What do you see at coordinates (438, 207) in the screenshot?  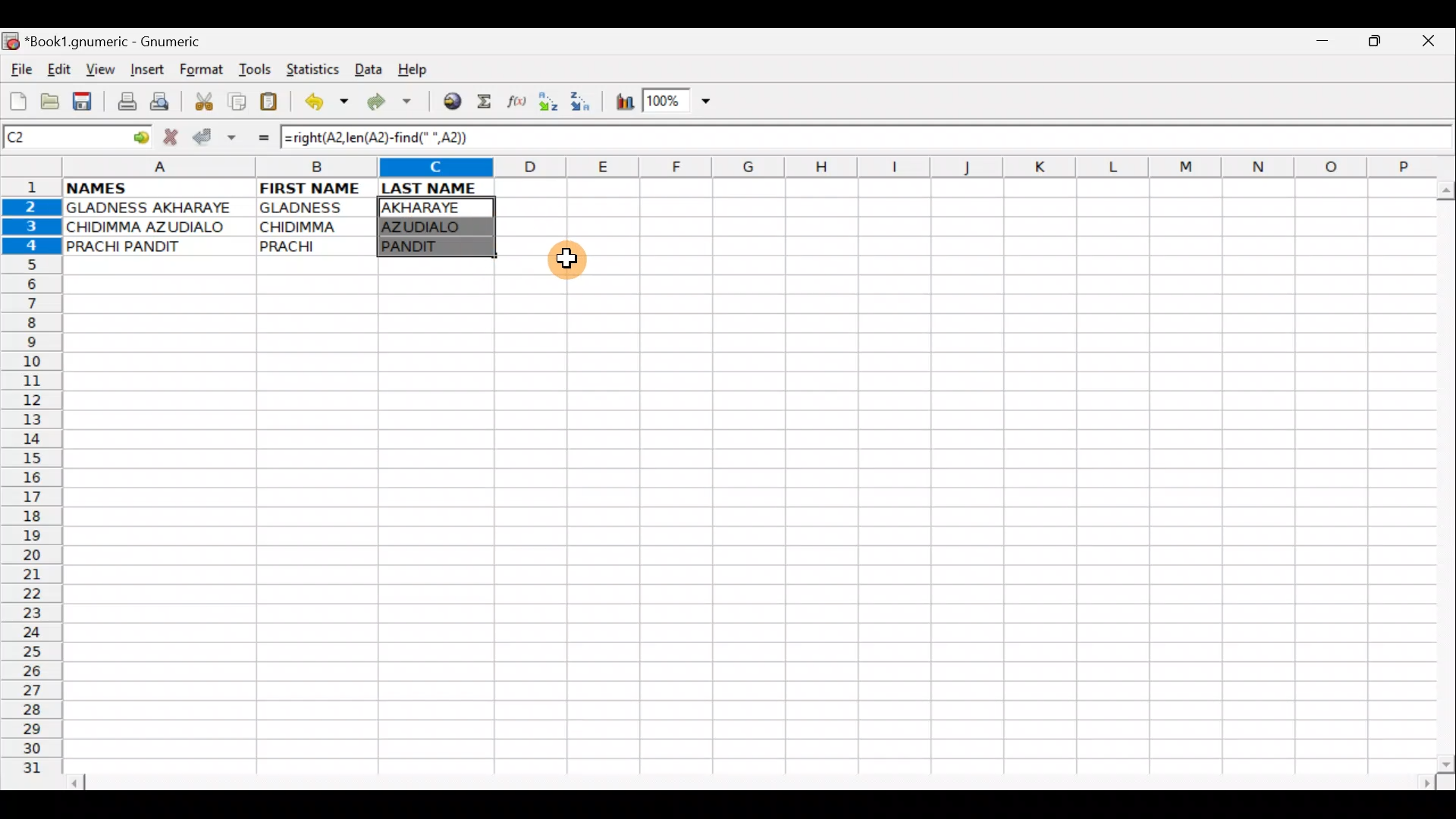 I see `AKHARAYE` at bounding box center [438, 207].